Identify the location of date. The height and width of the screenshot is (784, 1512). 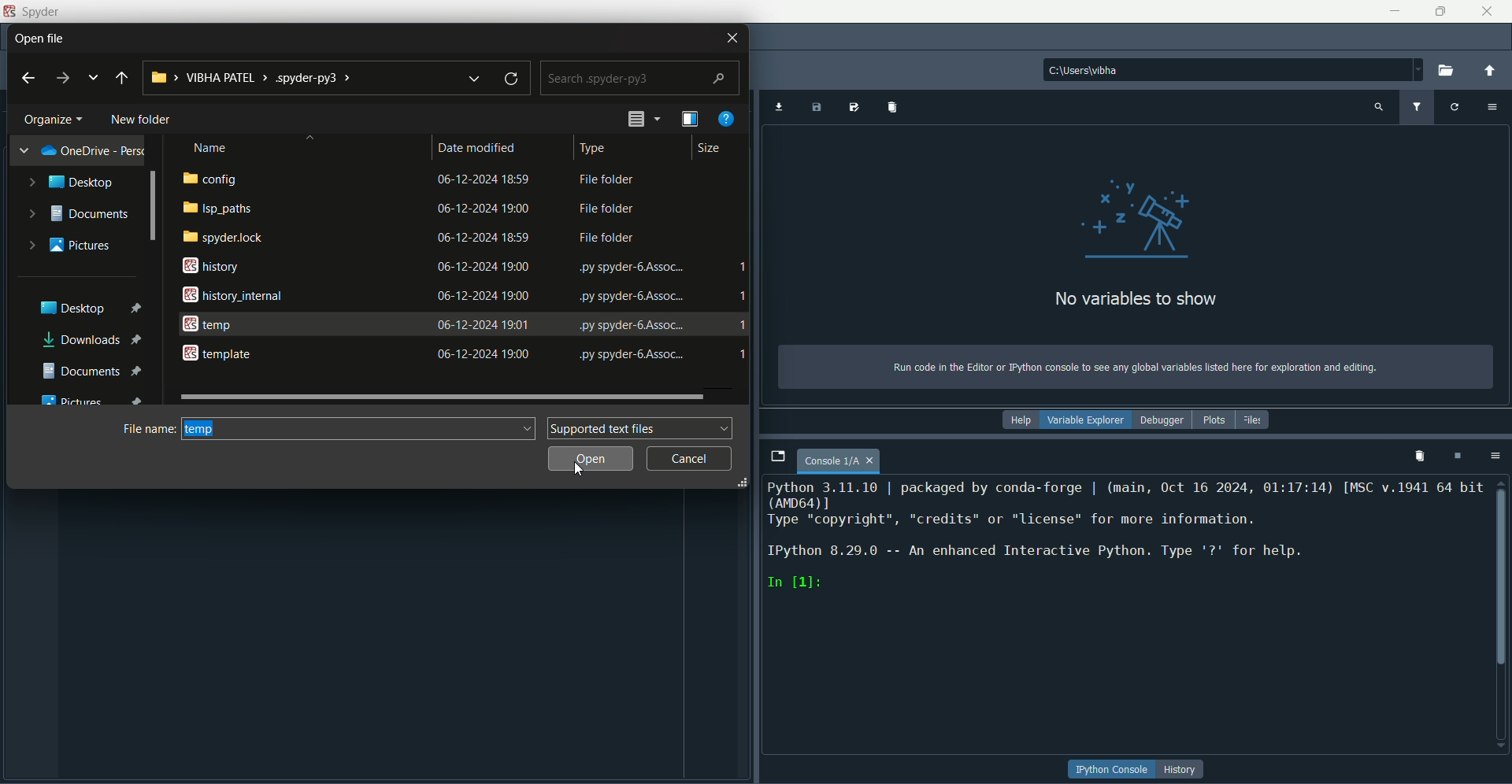
(483, 267).